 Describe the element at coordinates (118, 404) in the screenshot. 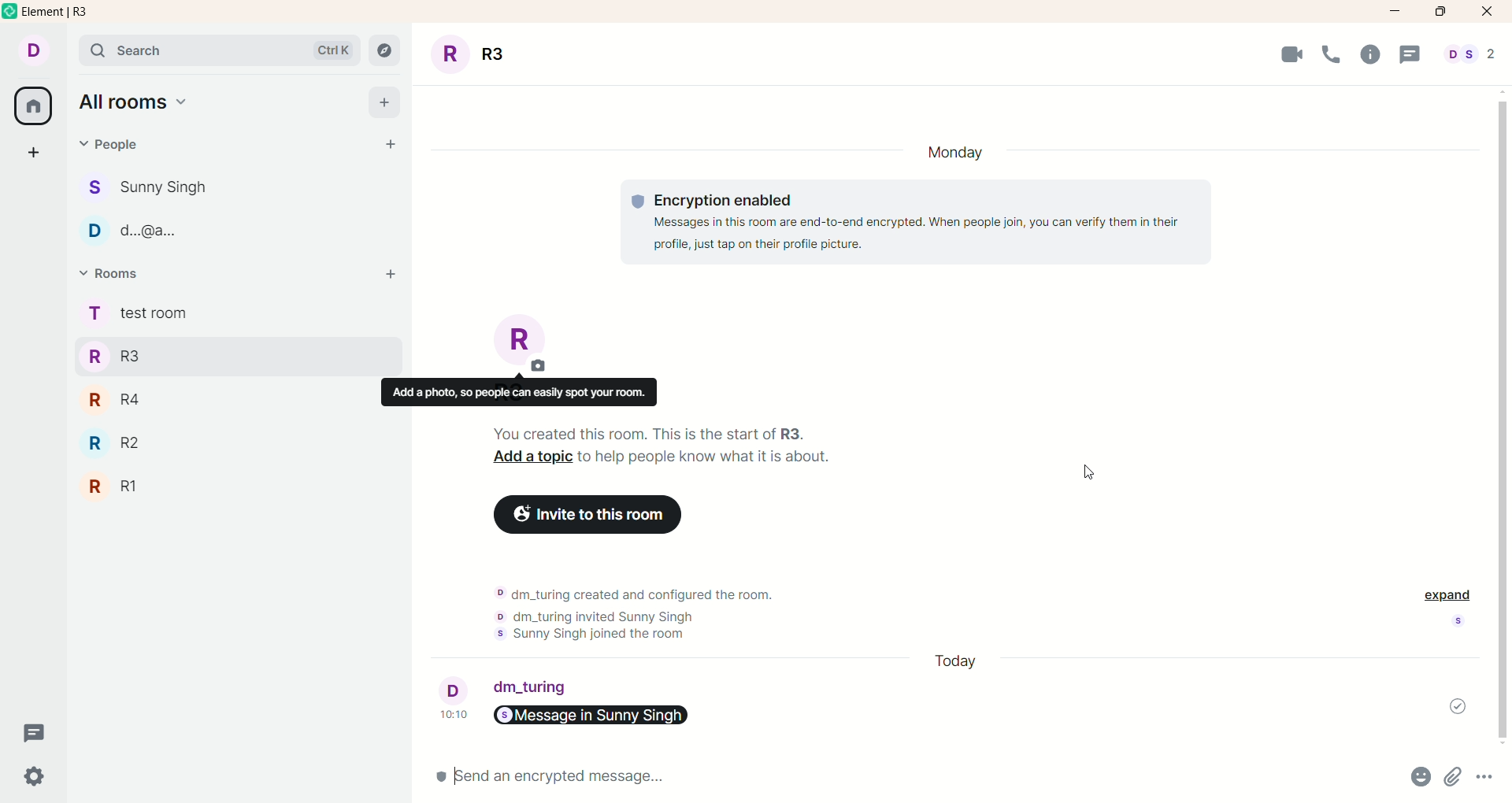

I see `R4` at that location.